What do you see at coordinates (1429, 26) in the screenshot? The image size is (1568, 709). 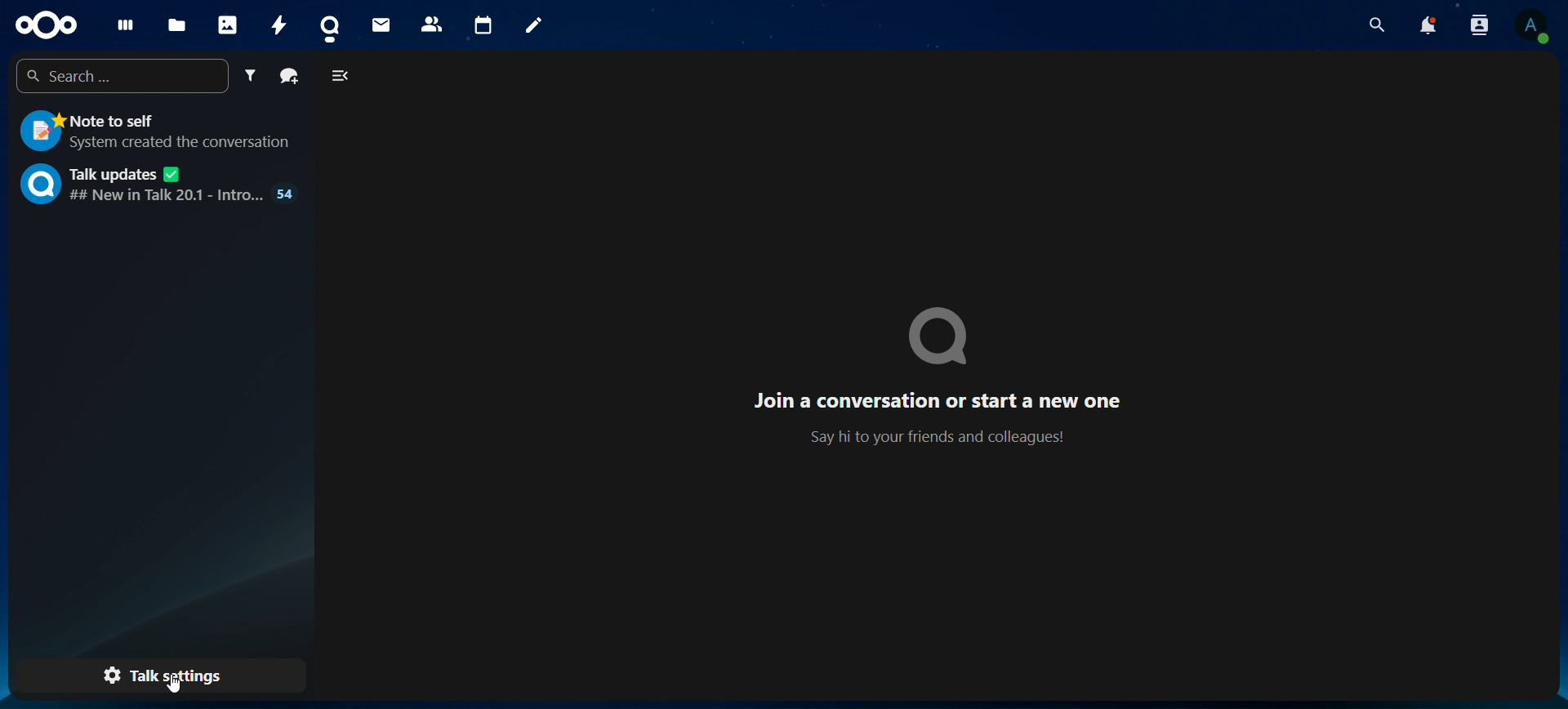 I see `notifications` at bounding box center [1429, 26].